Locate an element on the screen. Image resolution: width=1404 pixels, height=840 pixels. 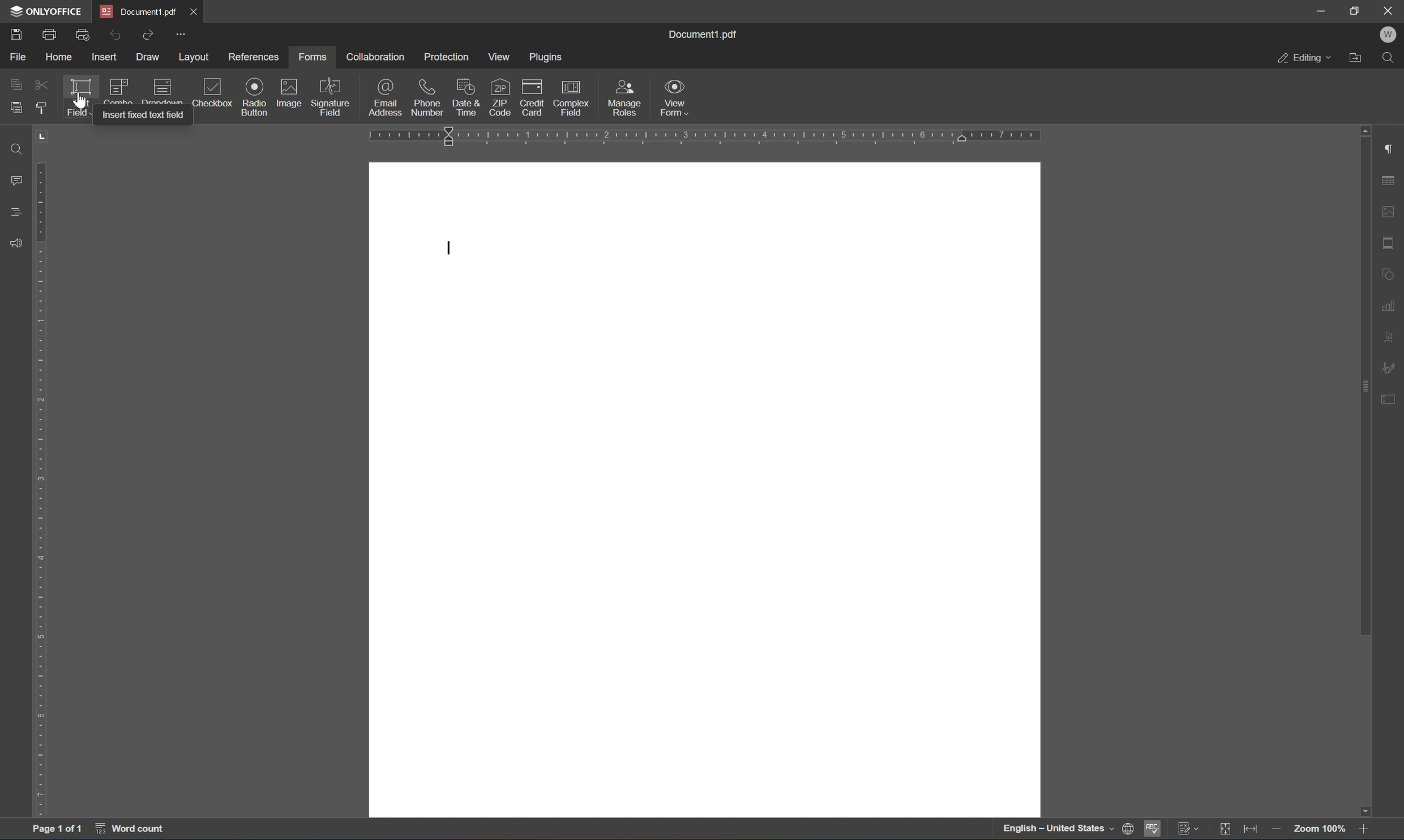
comments is located at coordinates (16, 180).